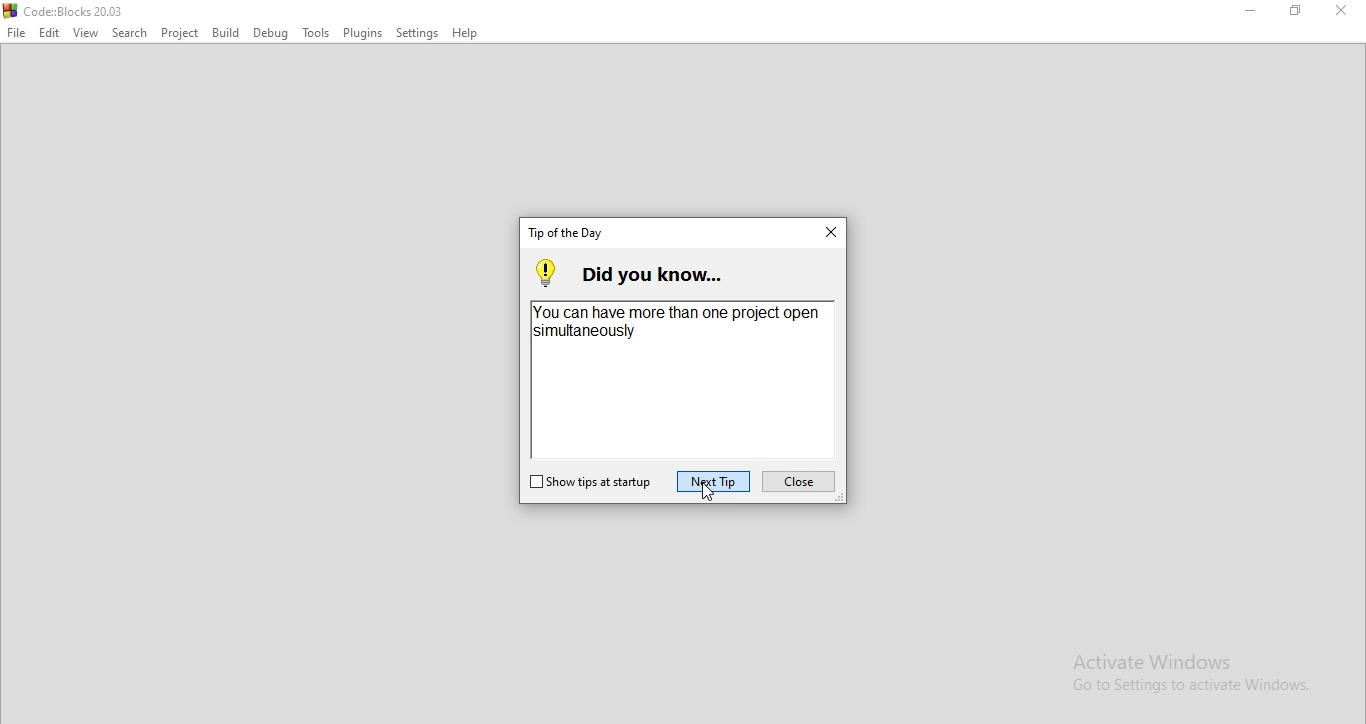  Describe the element at coordinates (129, 32) in the screenshot. I see `Search ` at that location.